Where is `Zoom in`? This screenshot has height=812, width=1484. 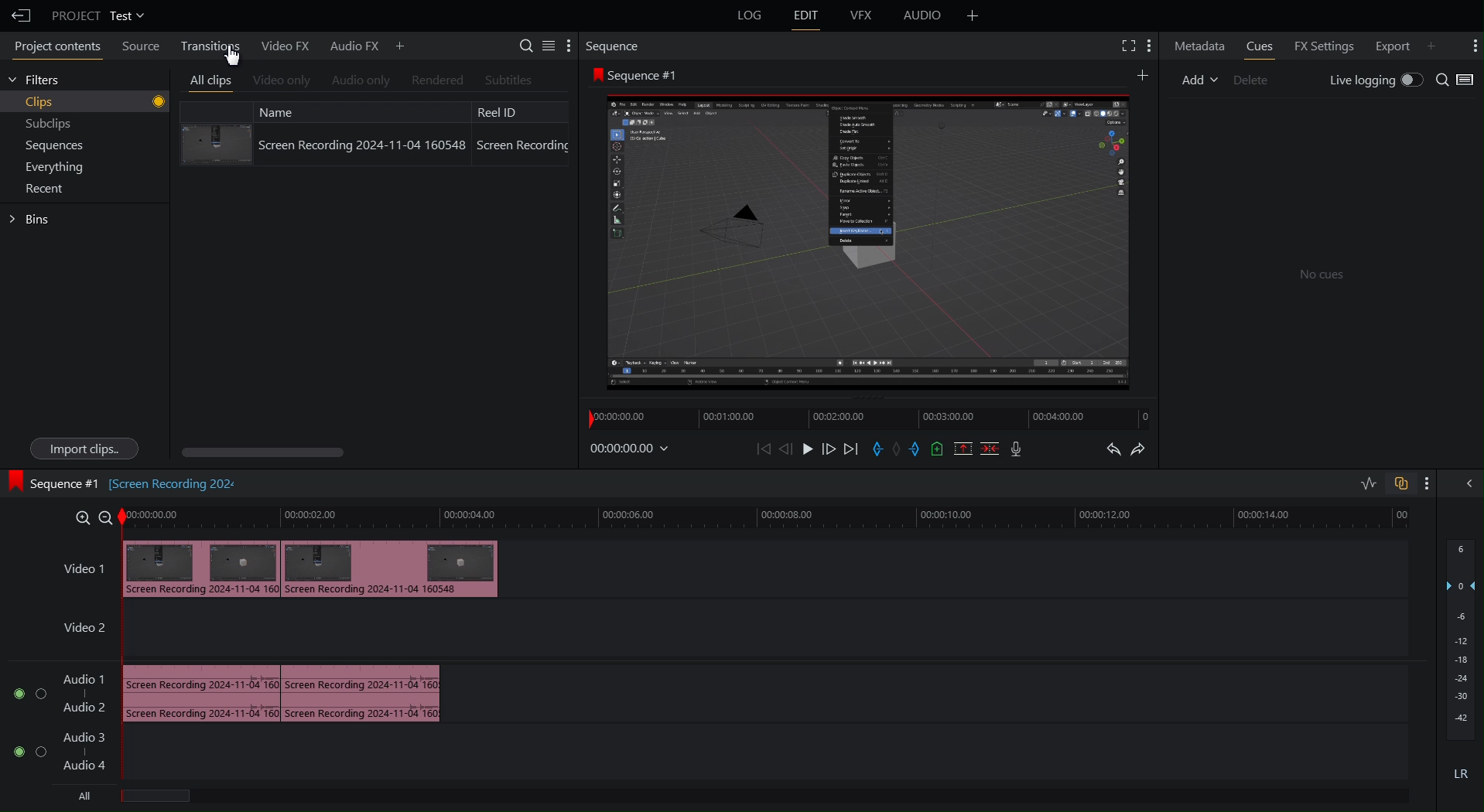
Zoom in is located at coordinates (78, 517).